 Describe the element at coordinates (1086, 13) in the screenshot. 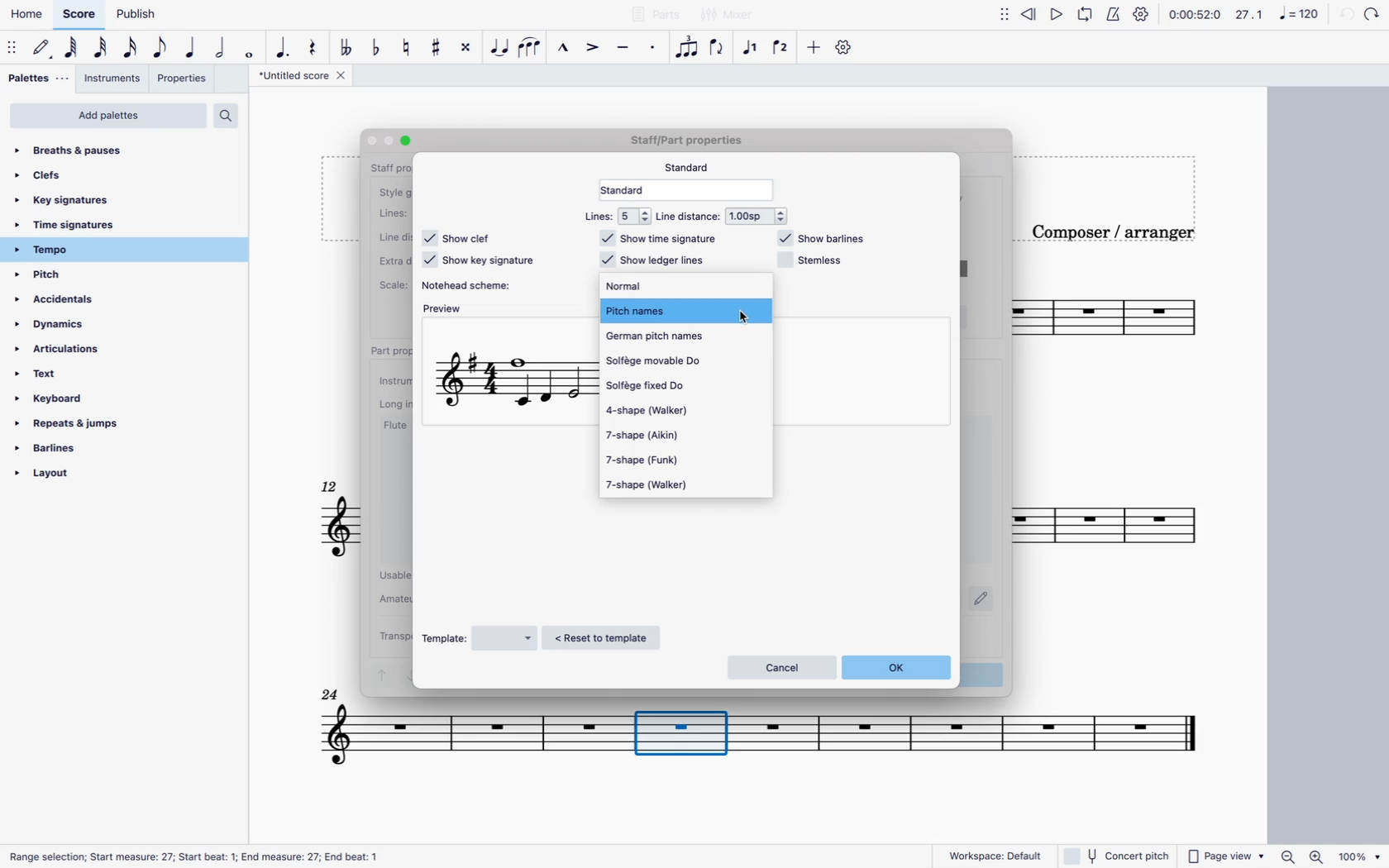

I see `loop playback` at that location.